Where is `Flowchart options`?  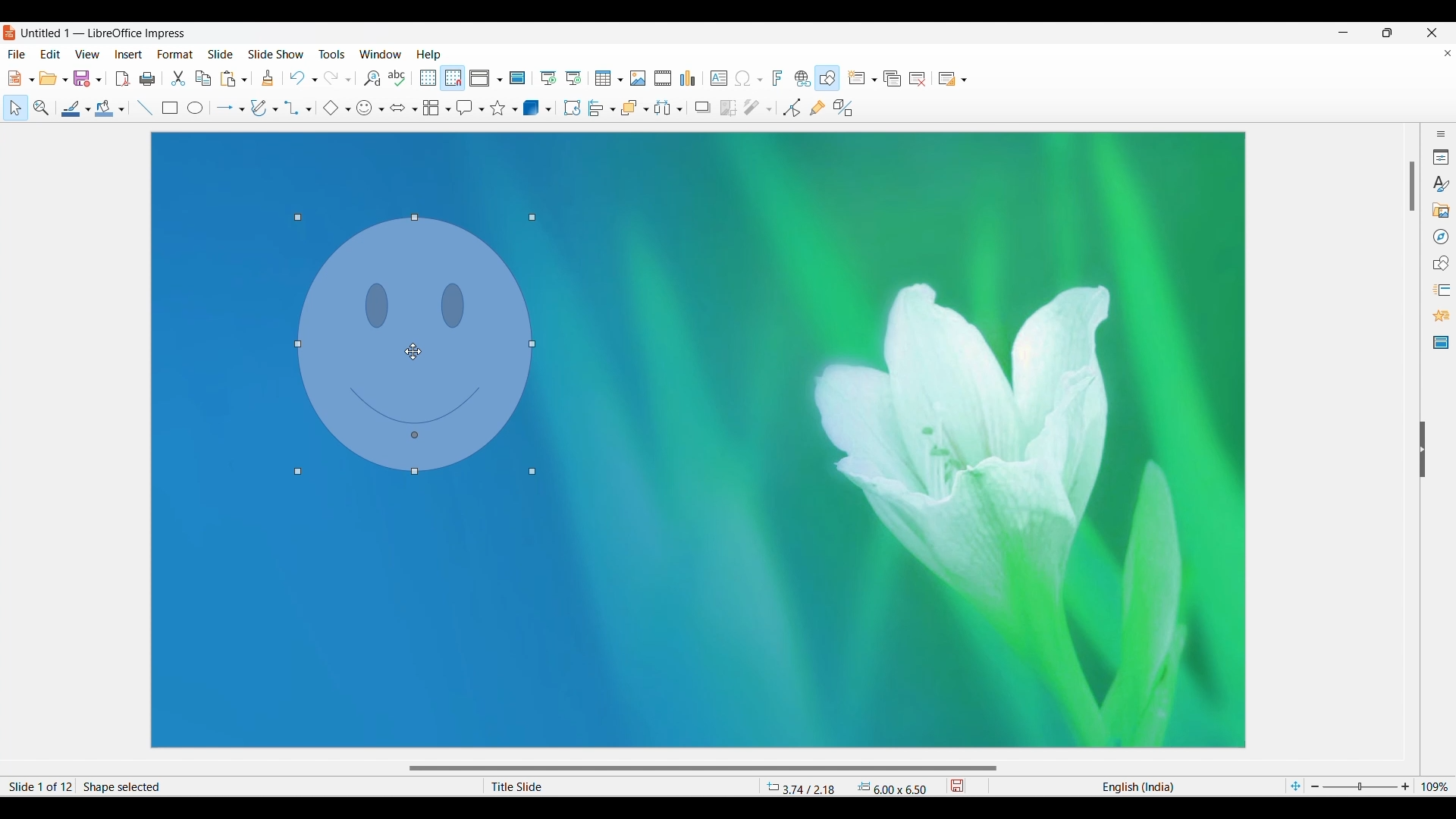
Flowchart options is located at coordinates (449, 109).